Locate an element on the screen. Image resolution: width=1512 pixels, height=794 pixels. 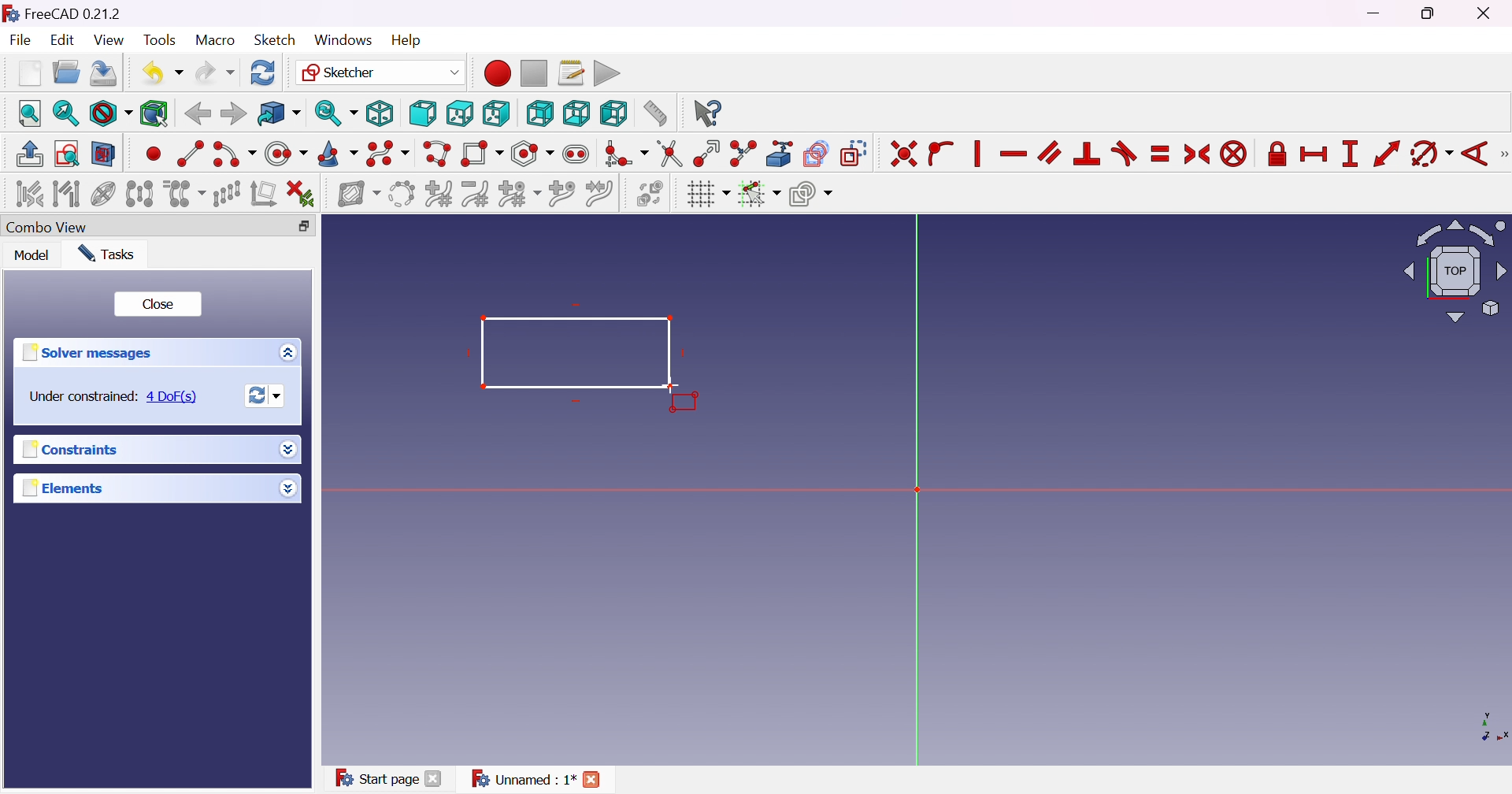
Increase B-spline degree is located at coordinates (439, 192).